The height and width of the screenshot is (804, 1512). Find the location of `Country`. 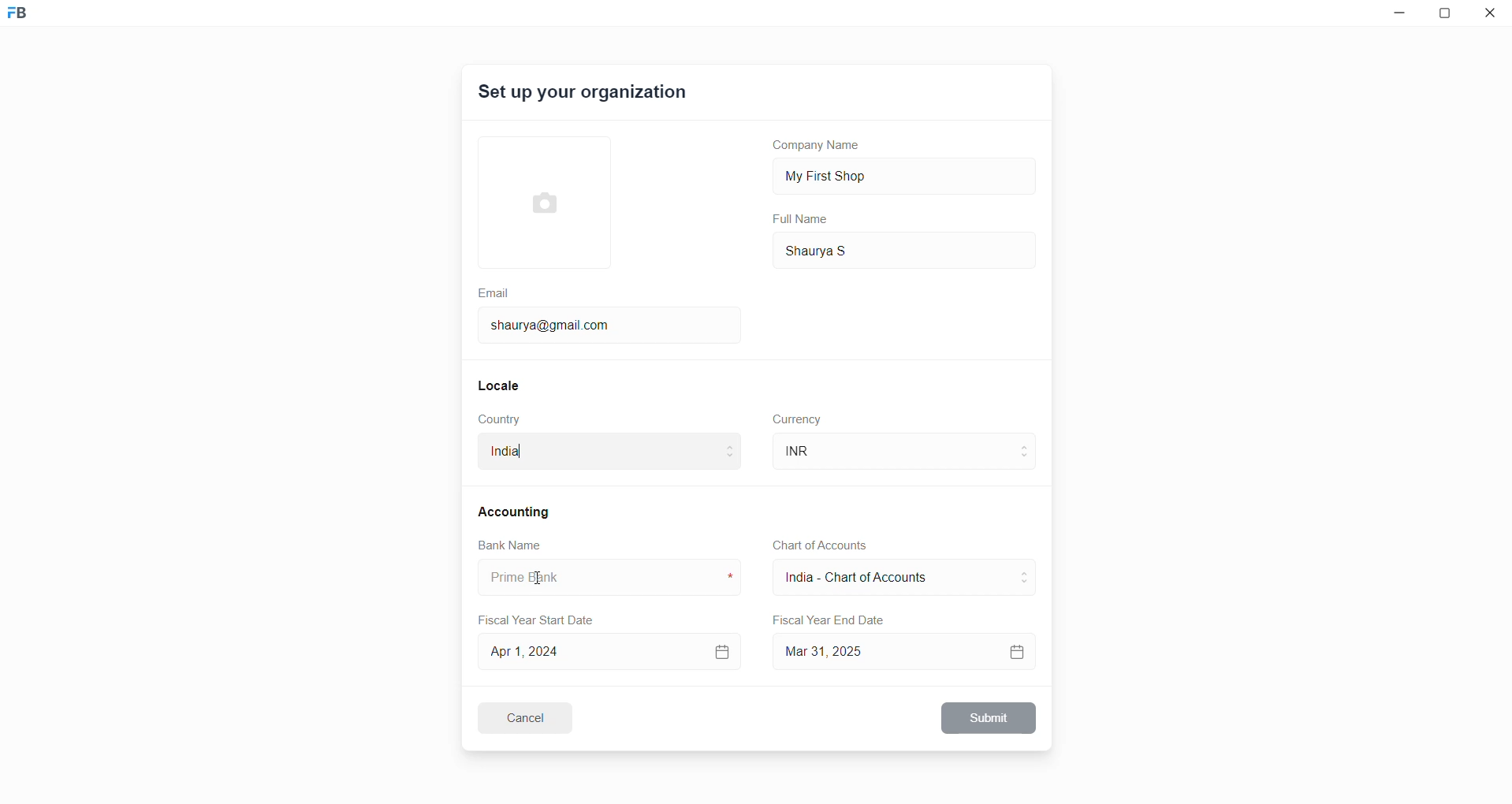

Country is located at coordinates (503, 419).